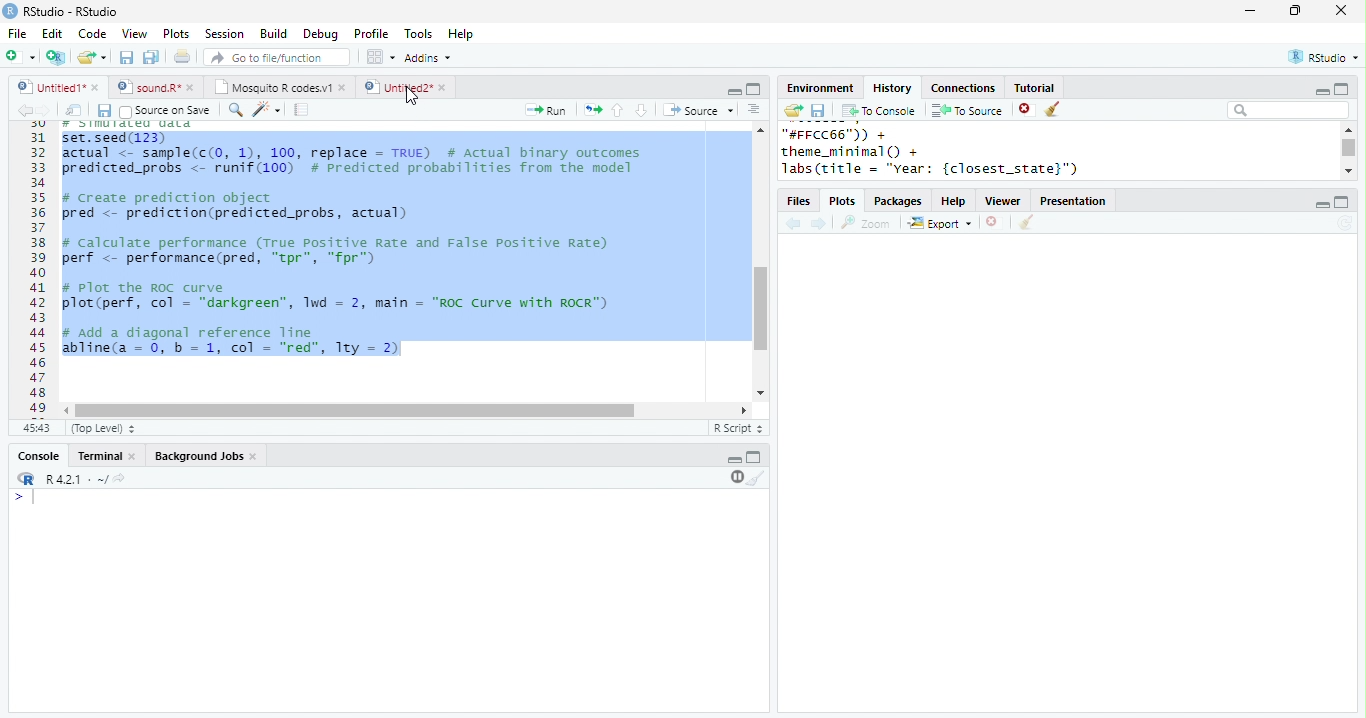  What do you see at coordinates (593, 110) in the screenshot?
I see `rerun` at bounding box center [593, 110].